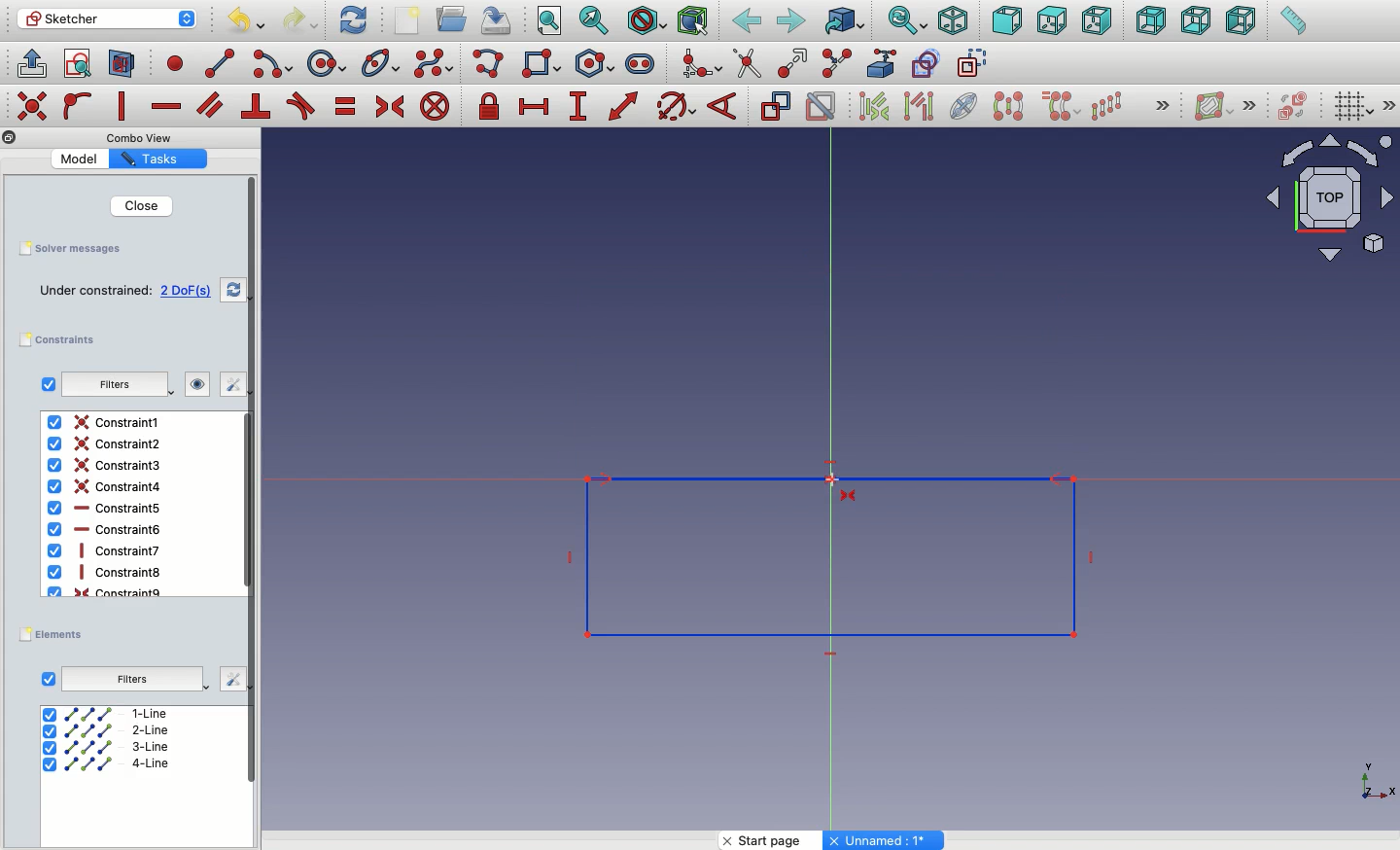 This screenshot has width=1400, height=850. I want to click on Tasks, so click(155, 159).